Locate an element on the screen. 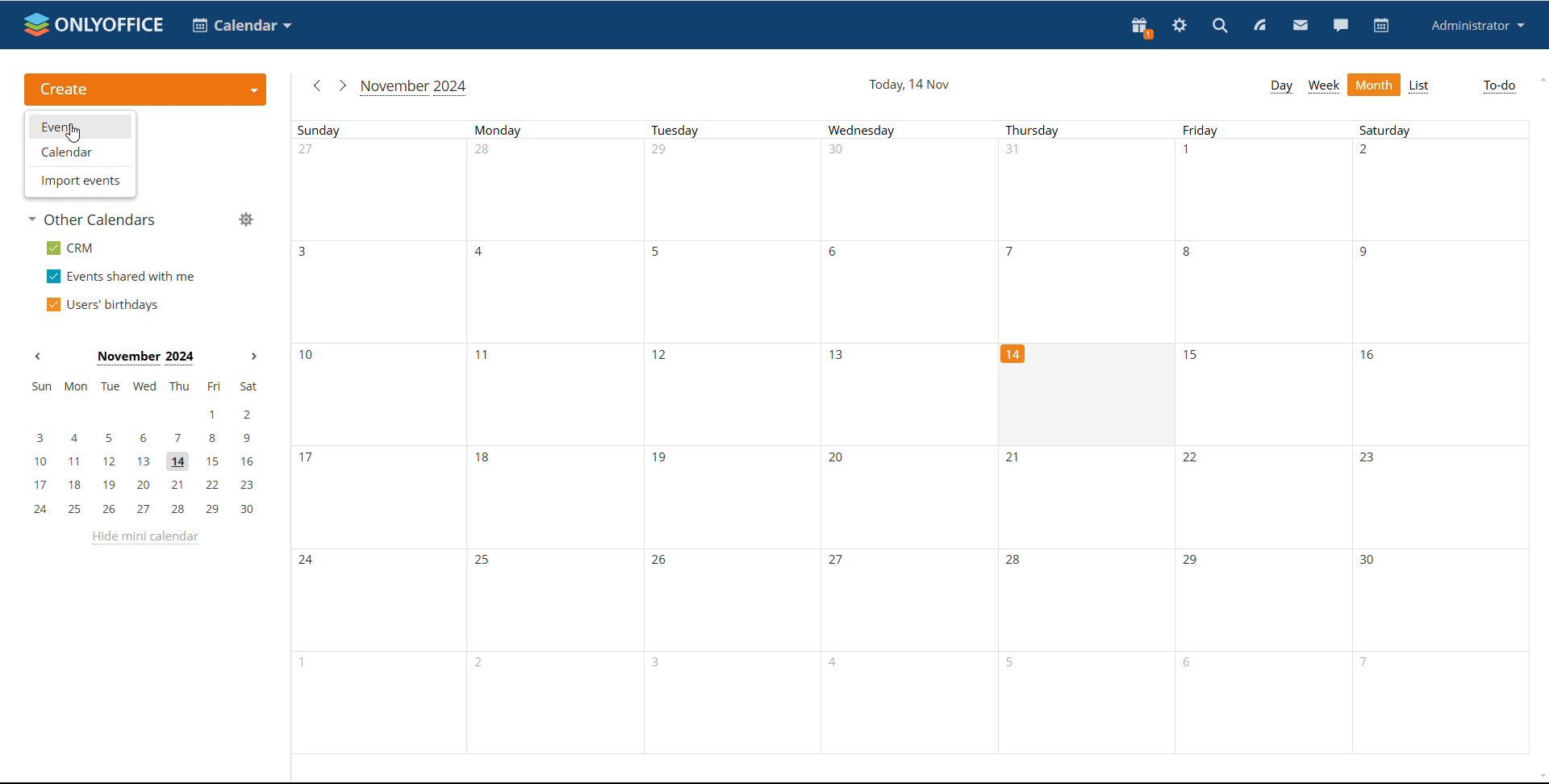 This screenshot has height=784, width=1549. hide mini calendar is located at coordinates (144, 537).